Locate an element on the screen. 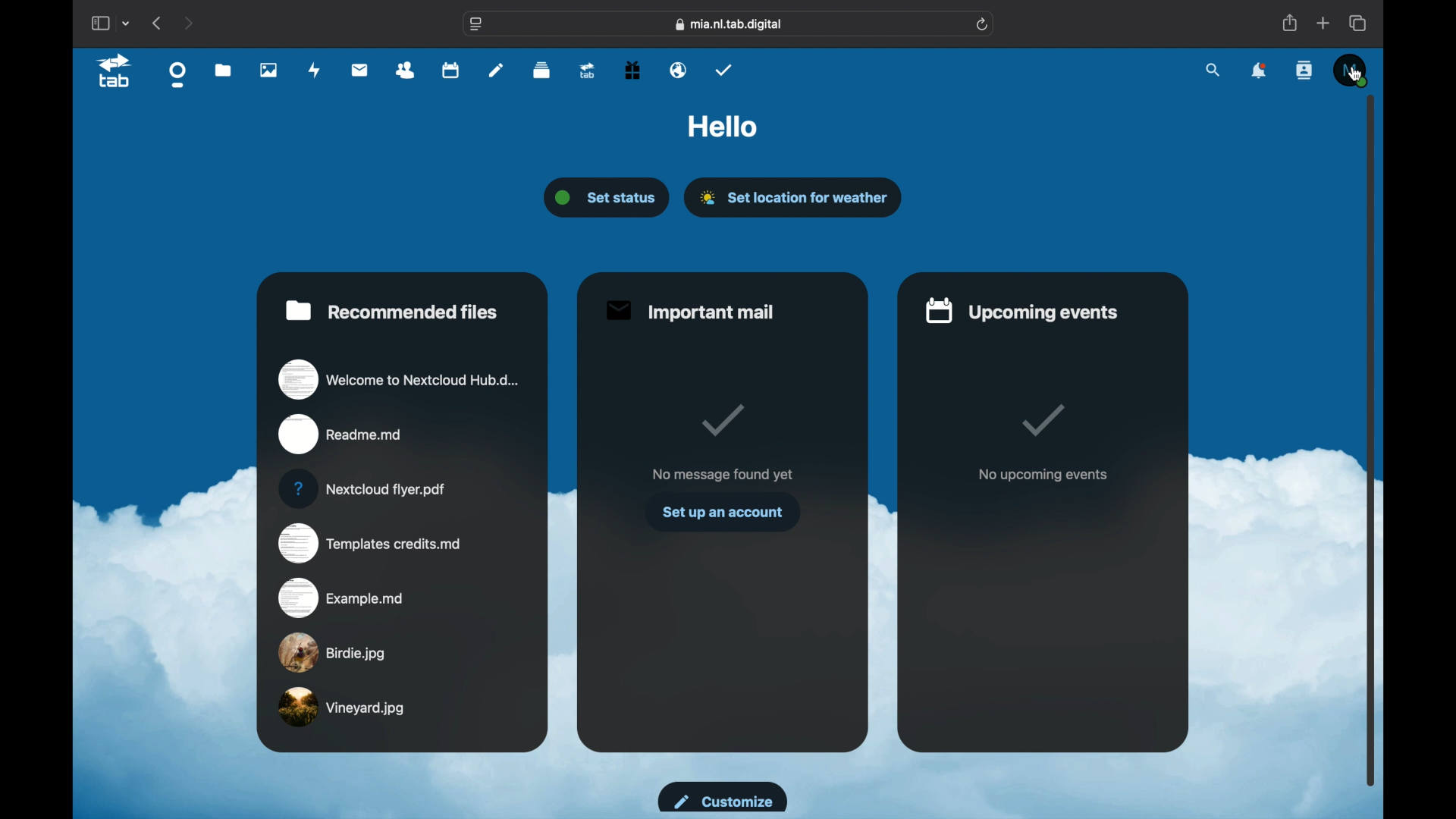 The image size is (1456, 819). set location for weather is located at coordinates (795, 197).